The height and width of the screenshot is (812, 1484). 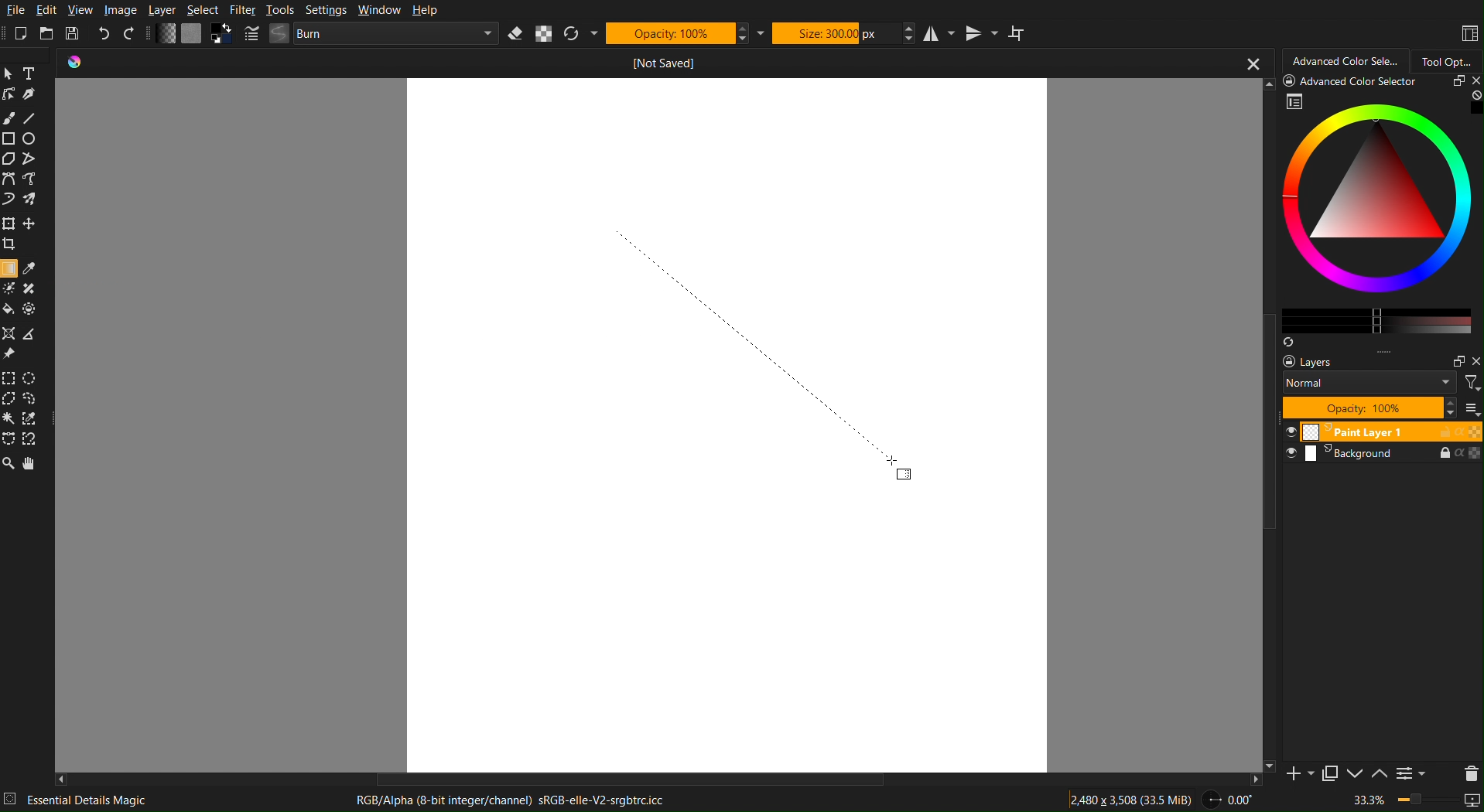 What do you see at coordinates (12, 798) in the screenshot?
I see `details` at bounding box center [12, 798].